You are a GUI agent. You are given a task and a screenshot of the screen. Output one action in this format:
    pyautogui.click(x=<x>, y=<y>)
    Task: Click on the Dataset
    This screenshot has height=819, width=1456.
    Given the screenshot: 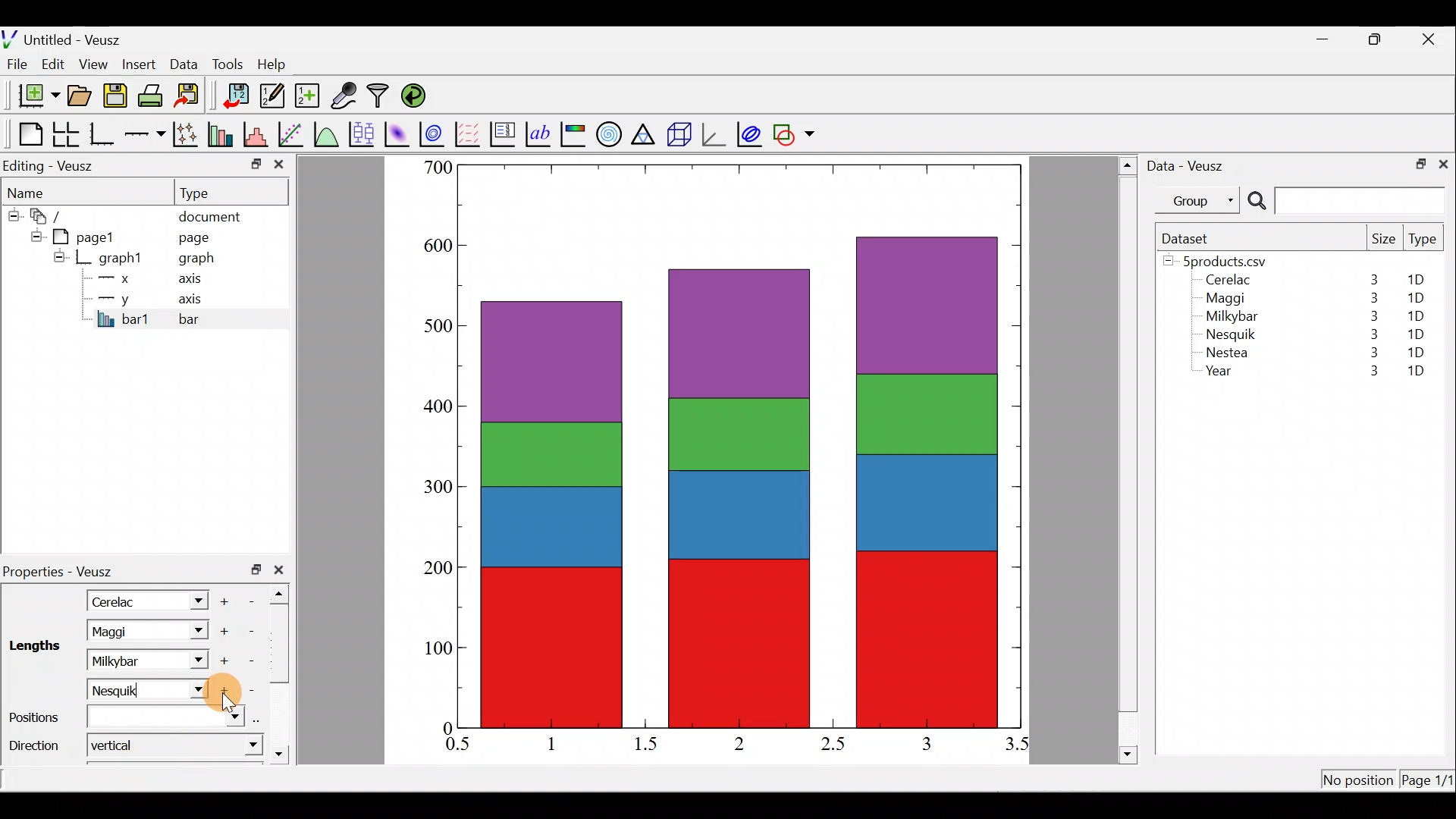 What is the action you would take?
    pyautogui.click(x=1191, y=238)
    